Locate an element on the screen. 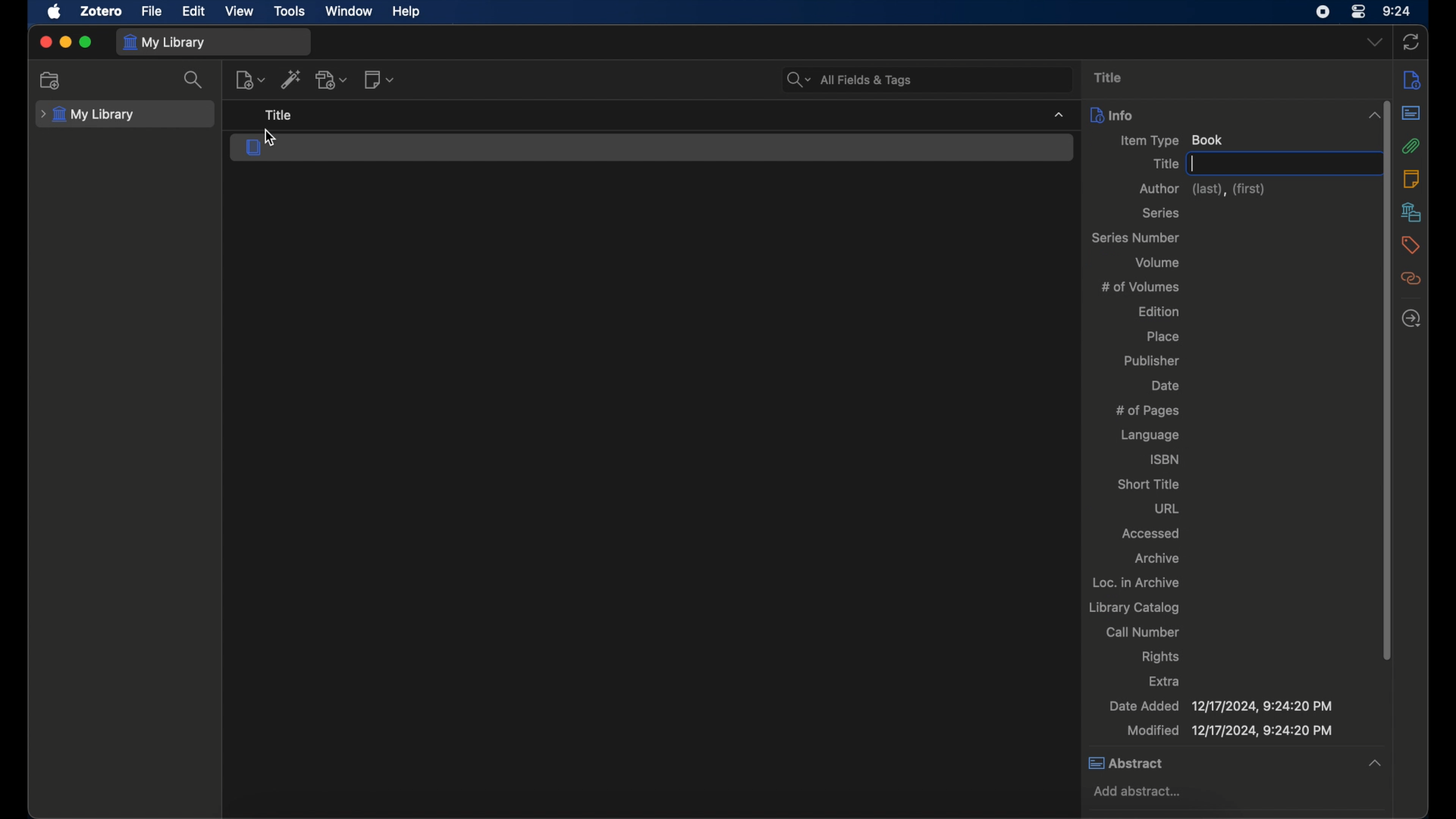 The height and width of the screenshot is (819, 1456). accessed is located at coordinates (1151, 532).